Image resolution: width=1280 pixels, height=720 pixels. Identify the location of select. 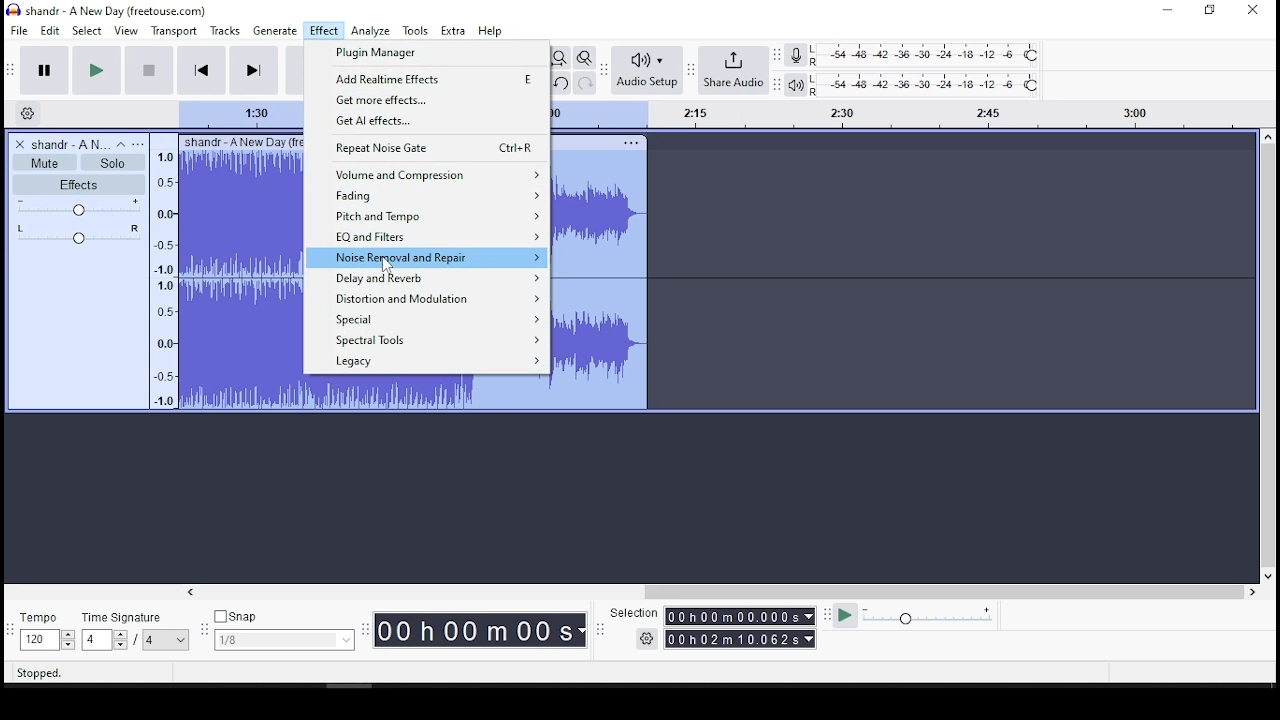
(88, 31).